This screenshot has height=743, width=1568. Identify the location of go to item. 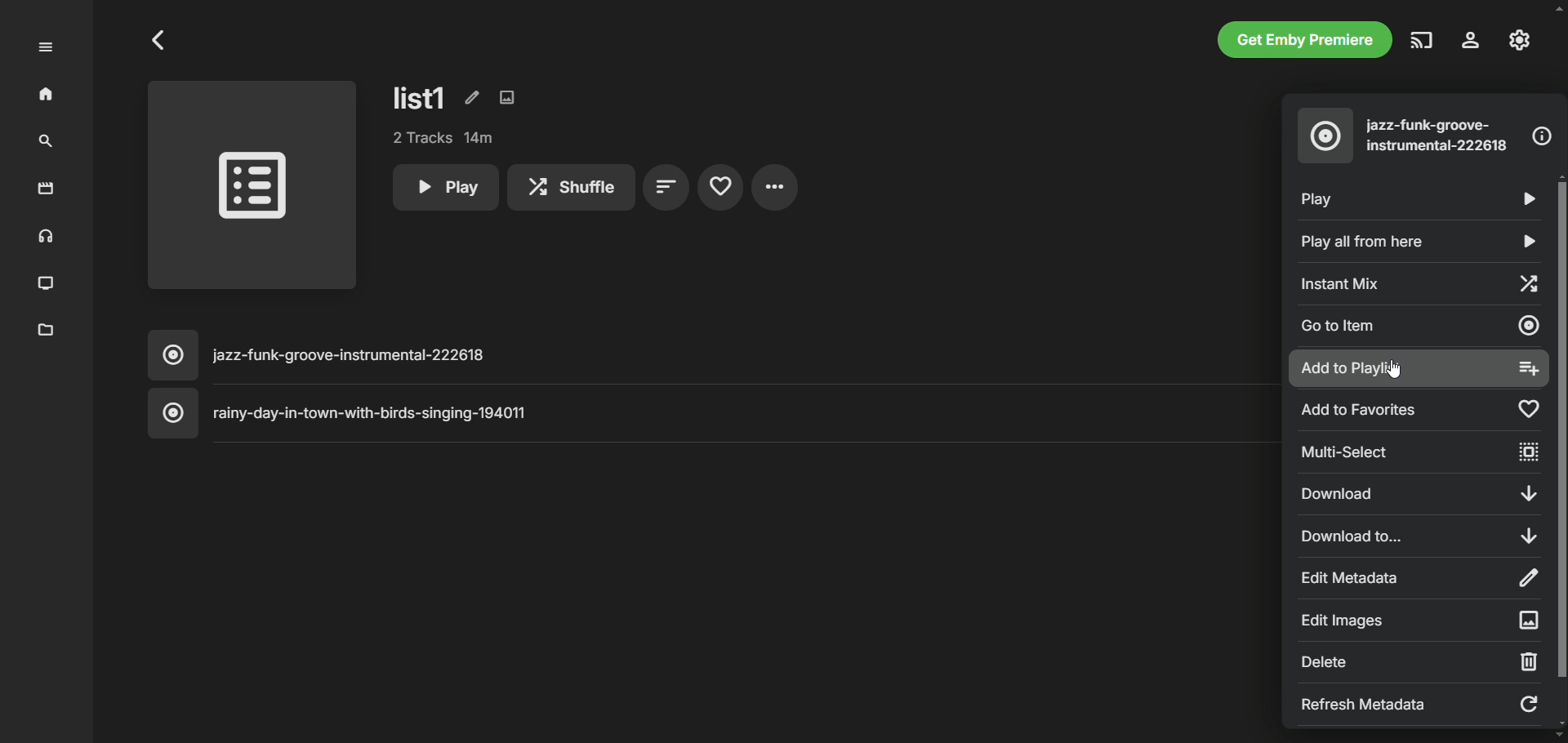
(1420, 328).